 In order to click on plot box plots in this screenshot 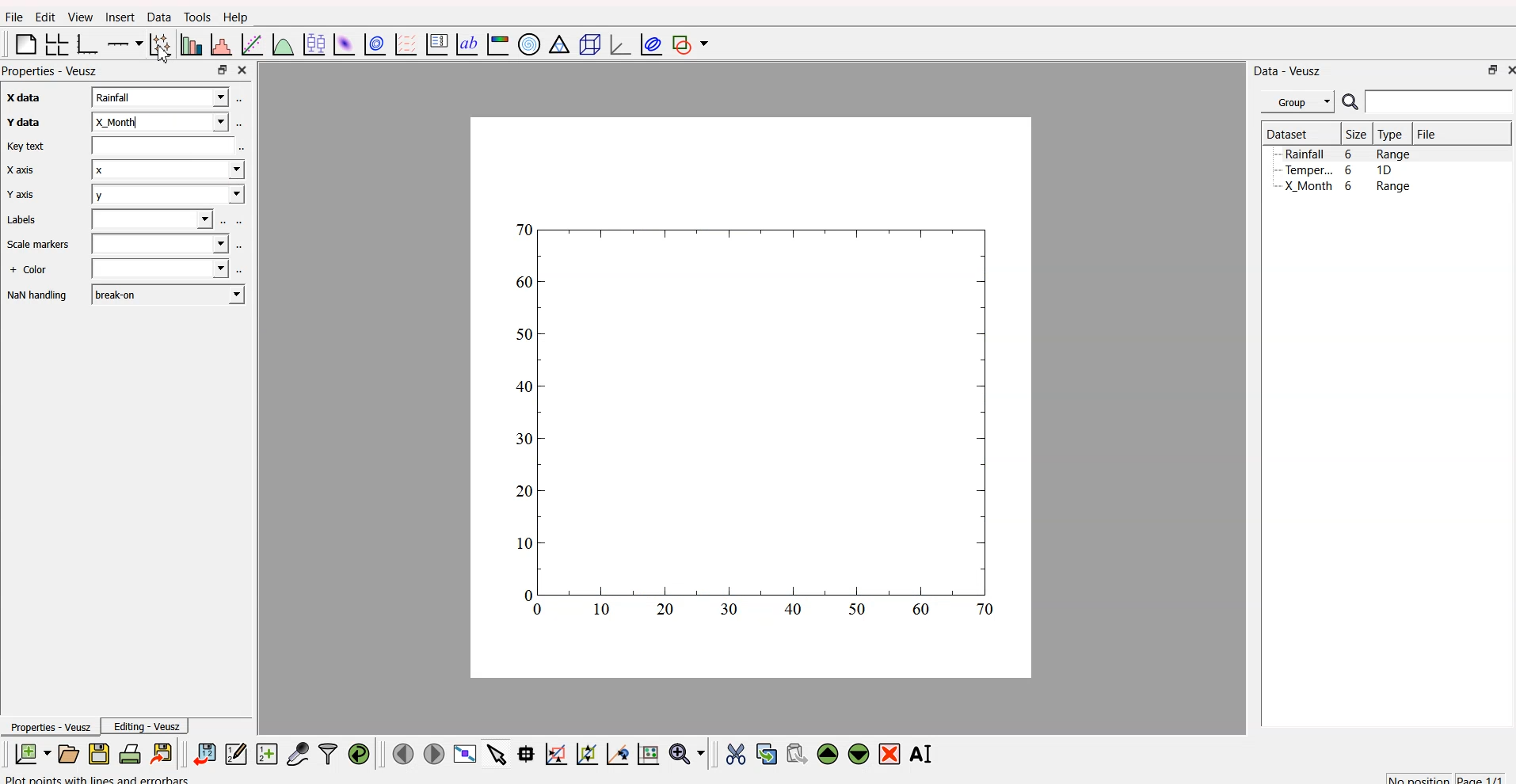, I will do `click(314, 43)`.